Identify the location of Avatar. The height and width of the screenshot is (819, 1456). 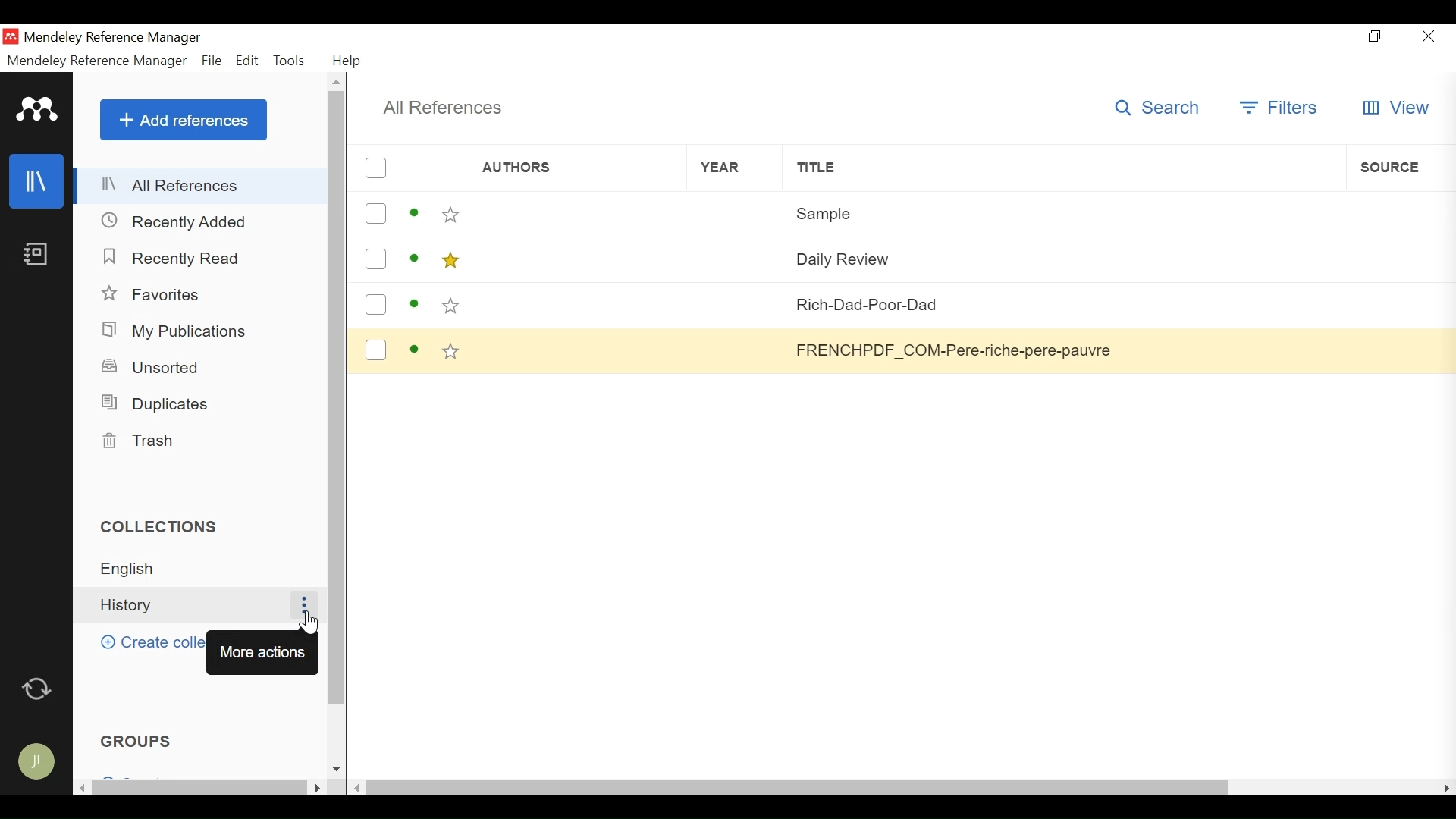
(35, 764).